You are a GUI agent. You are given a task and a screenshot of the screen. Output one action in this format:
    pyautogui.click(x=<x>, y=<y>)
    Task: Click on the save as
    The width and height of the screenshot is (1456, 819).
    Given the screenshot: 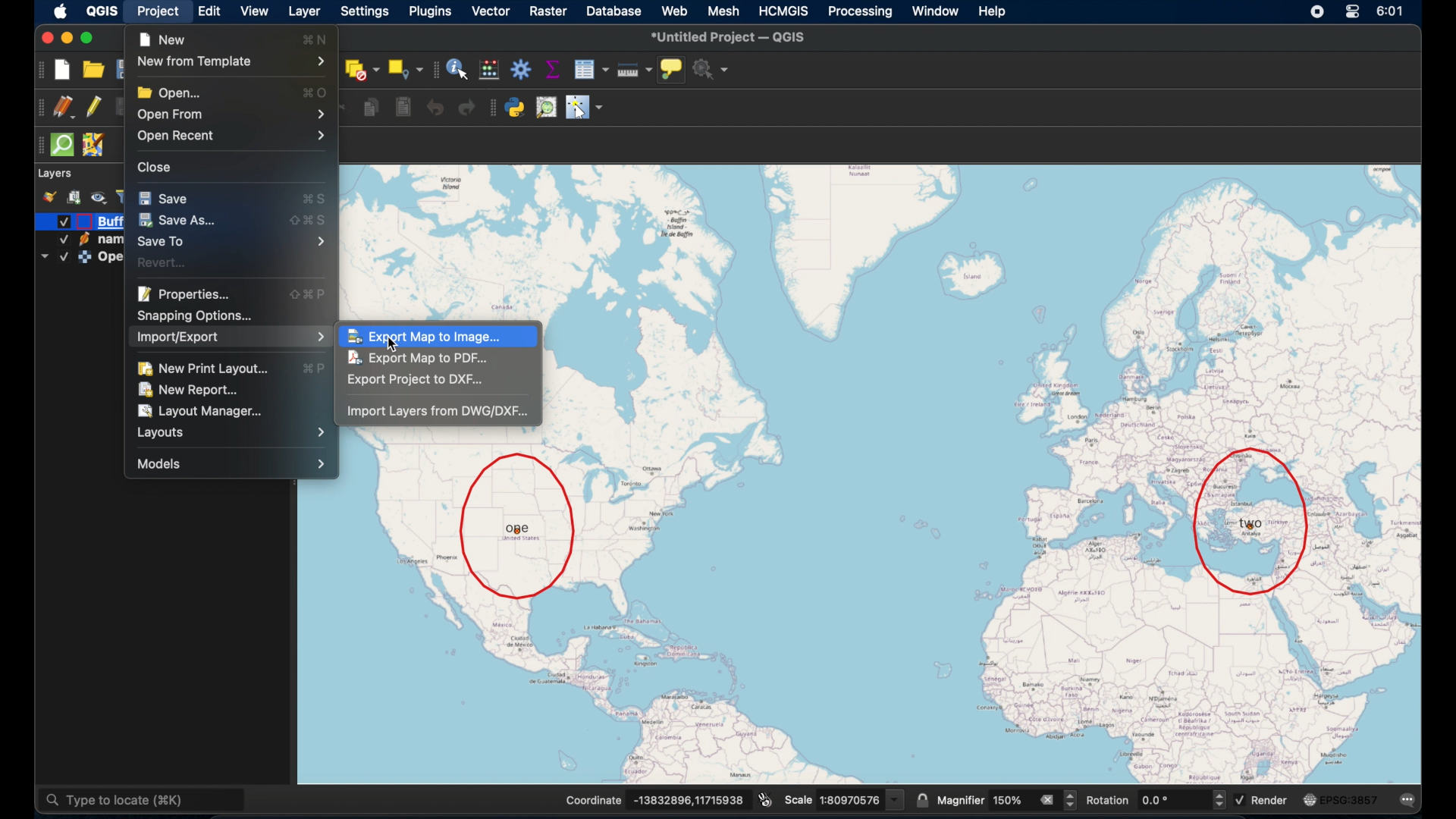 What is the action you would take?
    pyautogui.click(x=177, y=222)
    